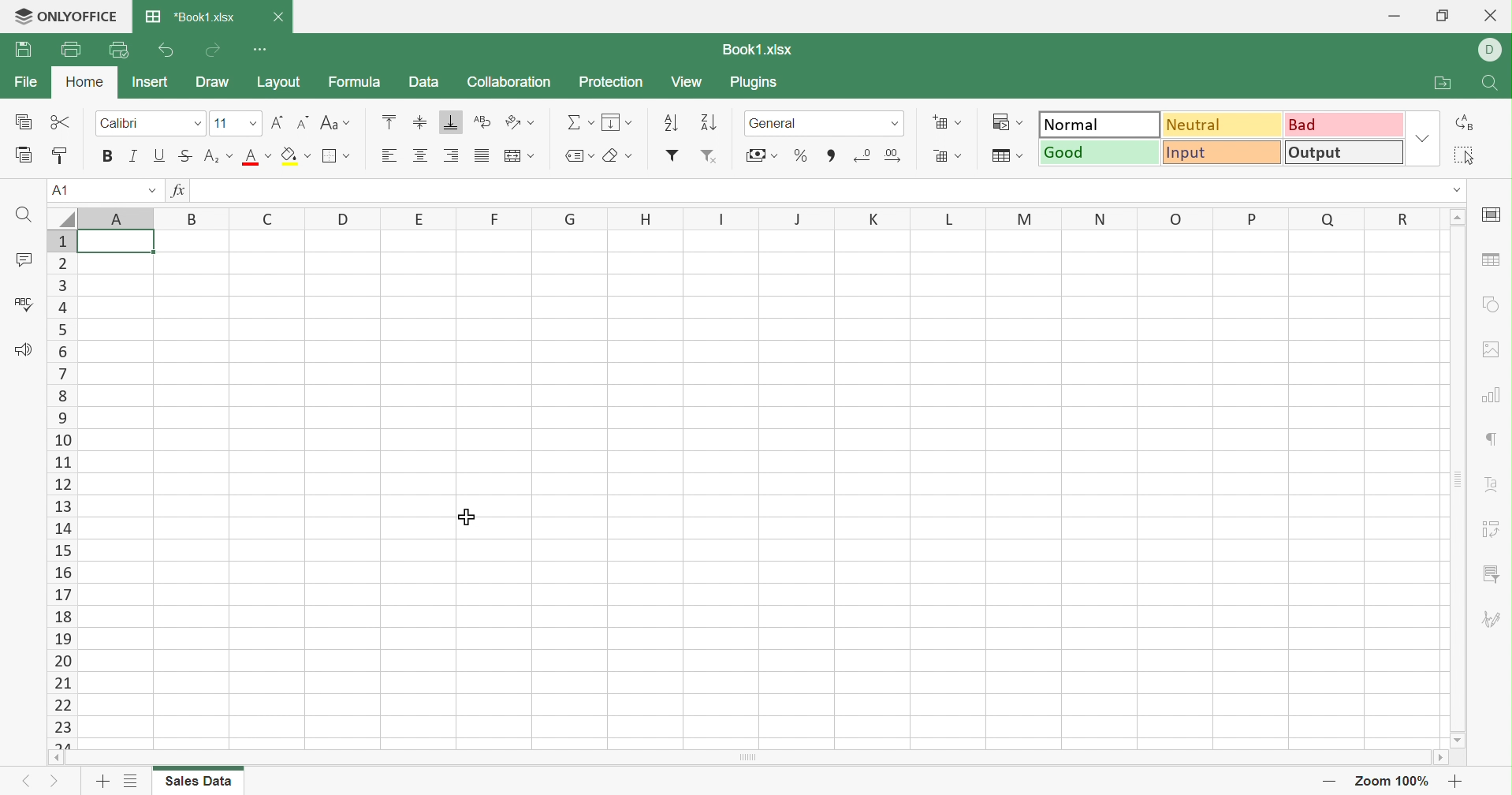 This screenshot has height=795, width=1512. I want to click on Column Names, so click(760, 217).